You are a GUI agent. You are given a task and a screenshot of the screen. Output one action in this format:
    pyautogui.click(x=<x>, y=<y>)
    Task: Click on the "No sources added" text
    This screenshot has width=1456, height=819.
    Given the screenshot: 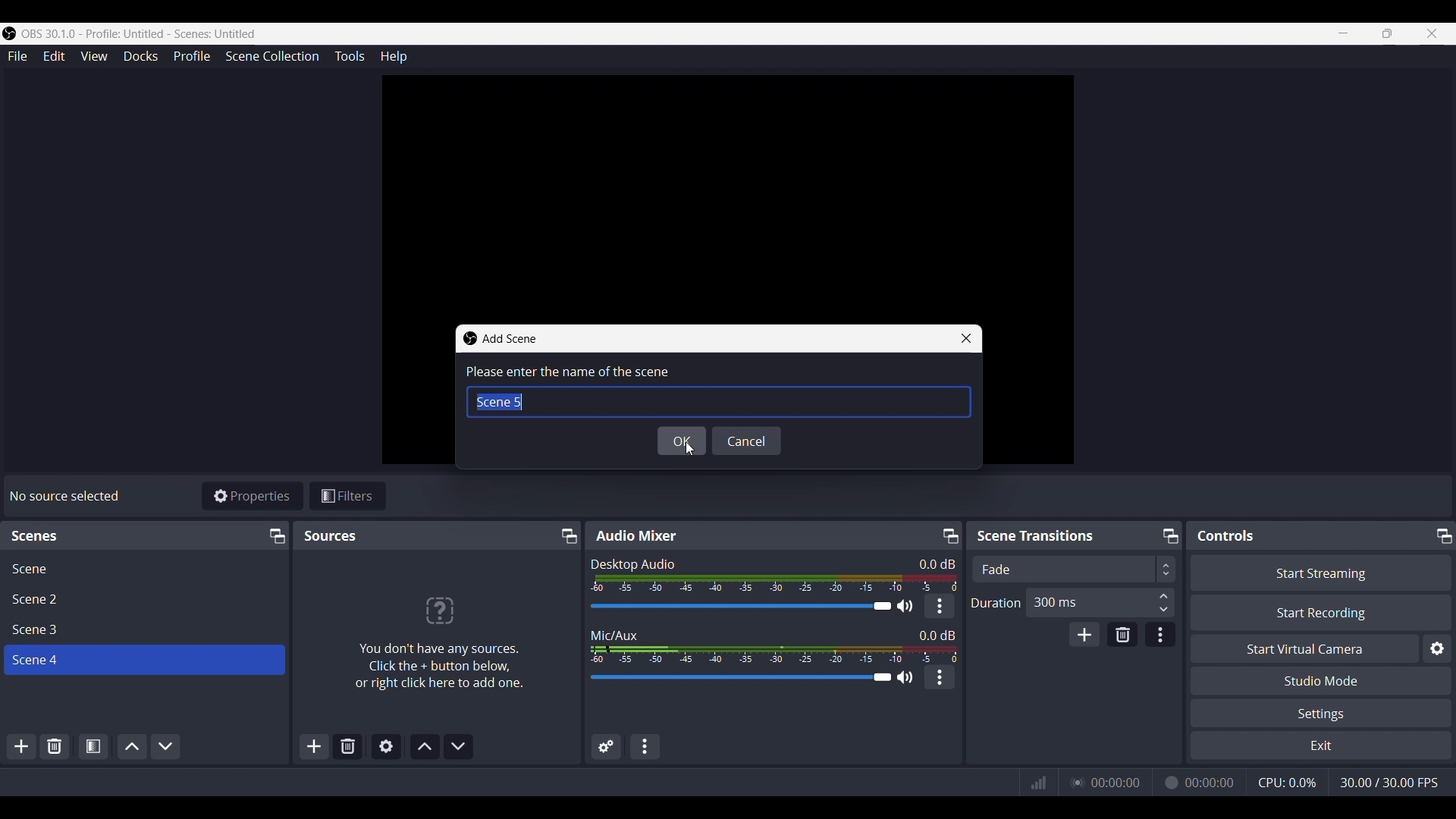 What is the action you would take?
    pyautogui.click(x=441, y=634)
    